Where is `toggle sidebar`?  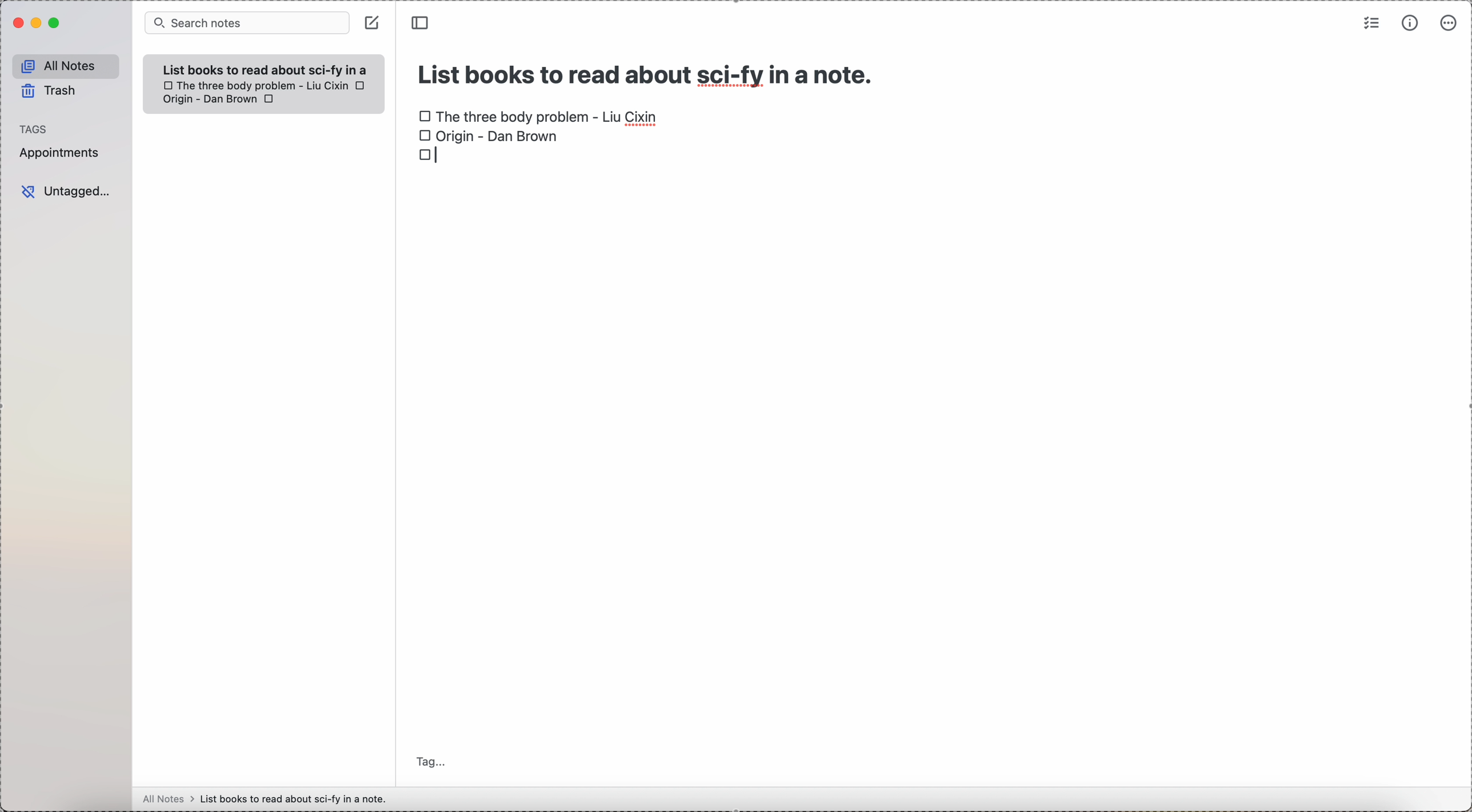 toggle sidebar is located at coordinates (422, 22).